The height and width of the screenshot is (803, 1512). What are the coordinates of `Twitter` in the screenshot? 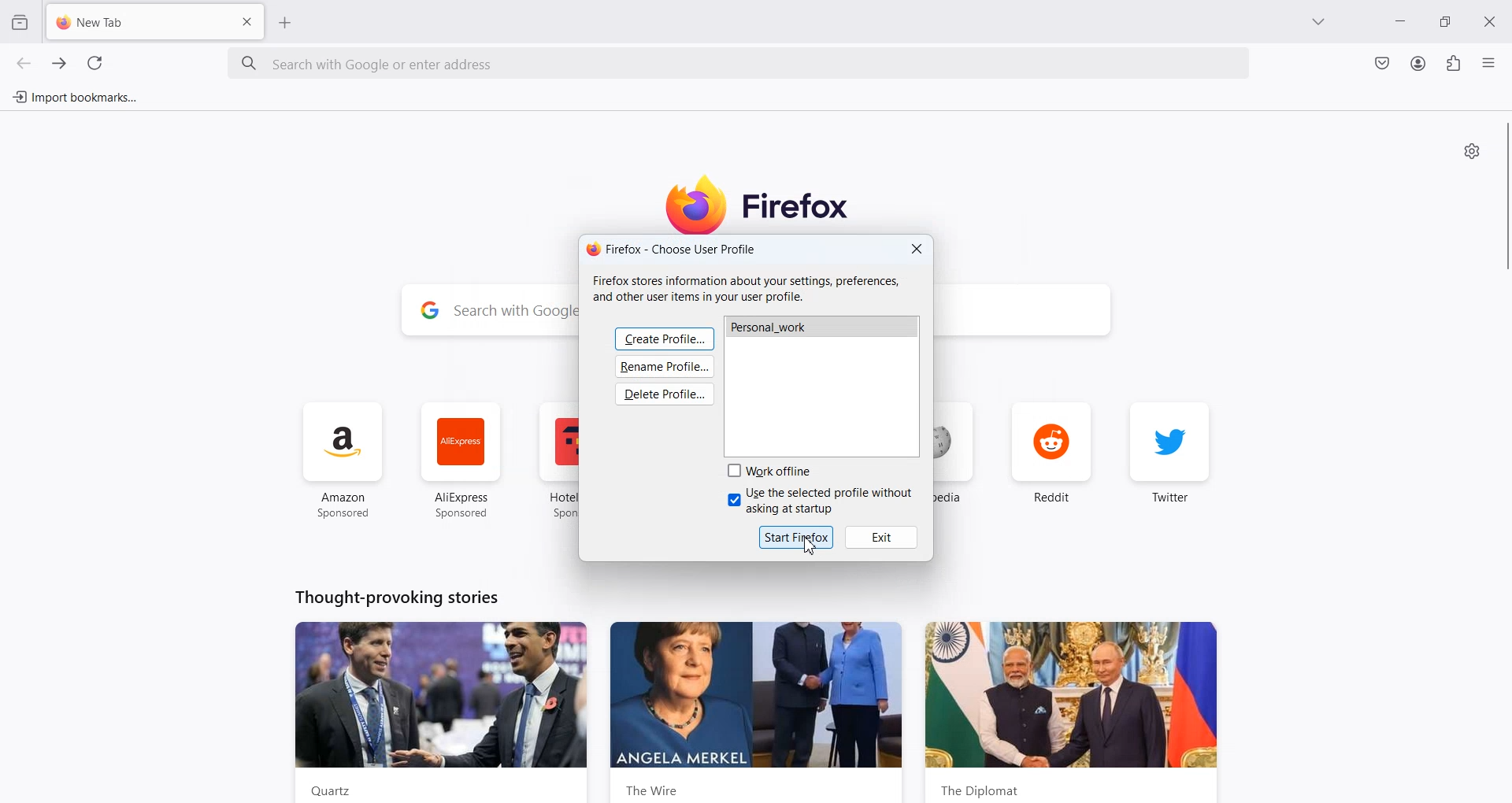 It's located at (1170, 461).